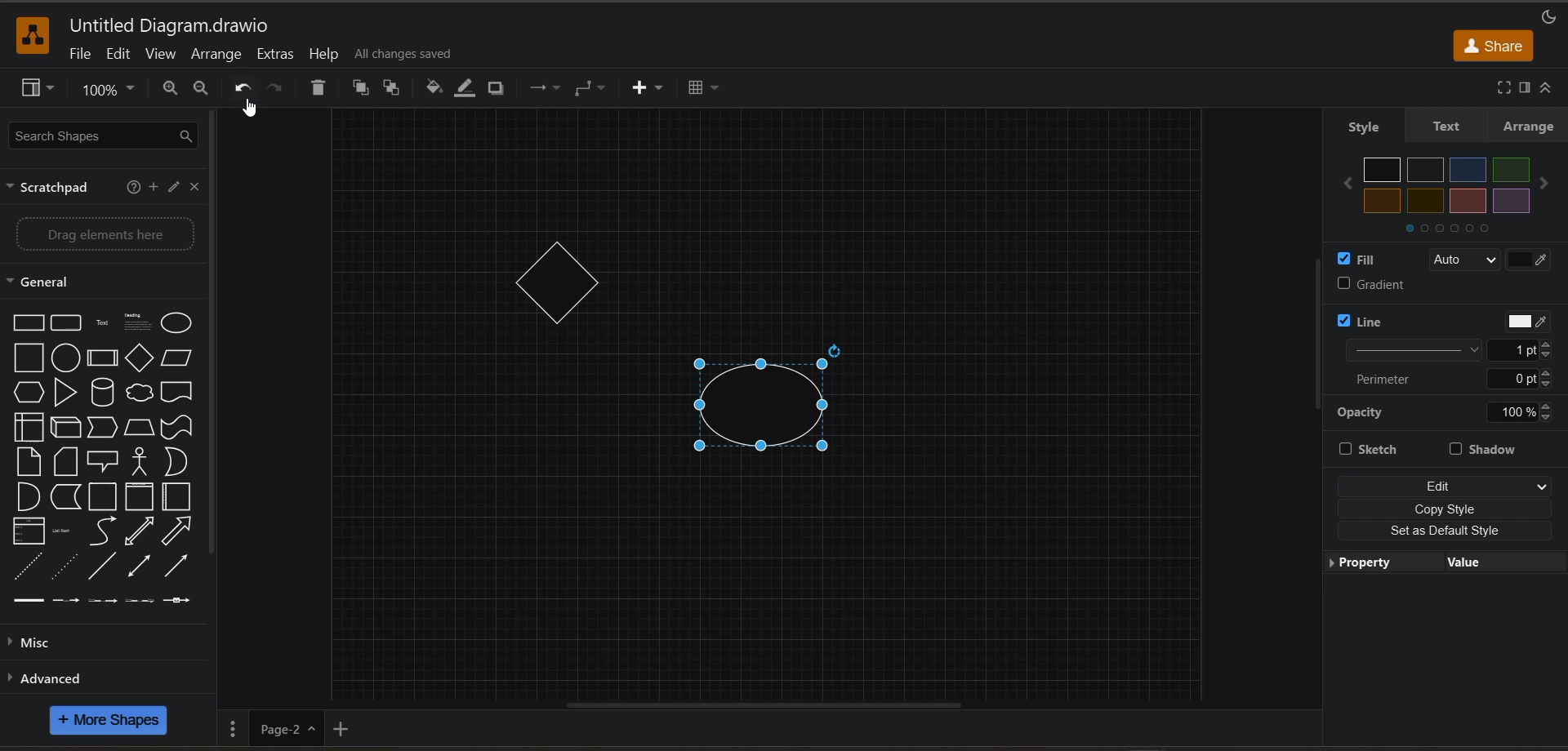 This screenshot has height=751, width=1568. Describe the element at coordinates (26, 495) in the screenshot. I see `And` at that location.